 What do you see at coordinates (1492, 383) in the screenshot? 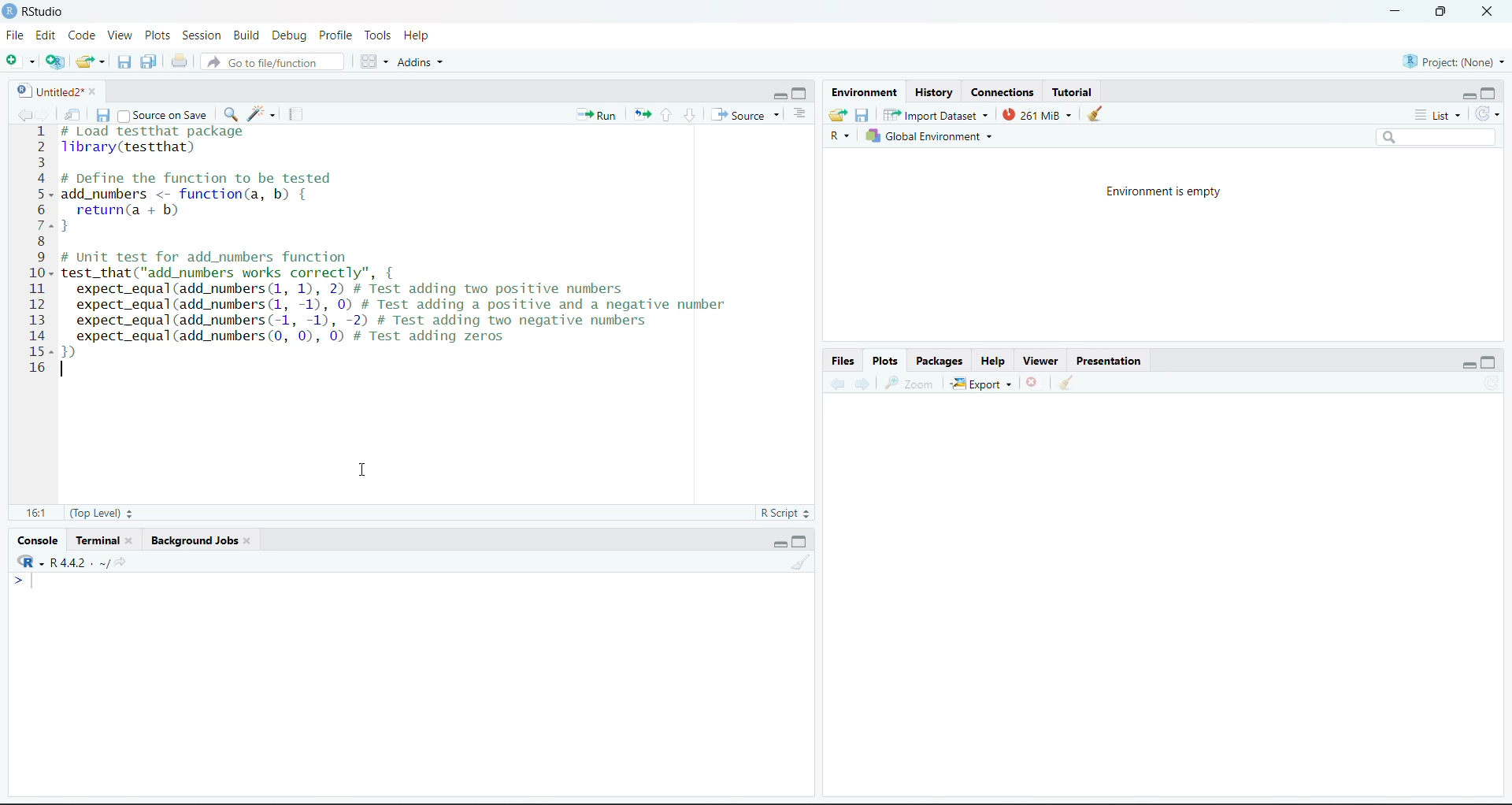
I see `Refresh` at bounding box center [1492, 383].